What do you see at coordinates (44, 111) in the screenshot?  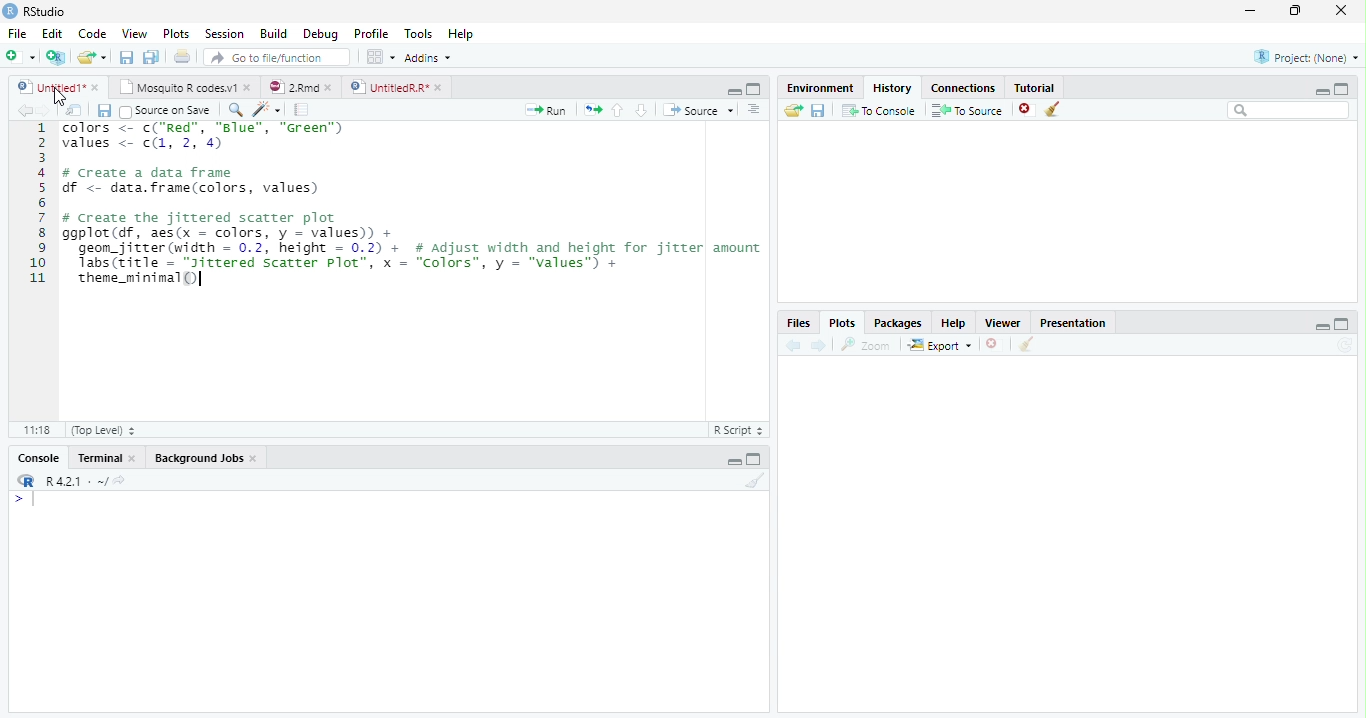 I see `Go forward to next source location` at bounding box center [44, 111].